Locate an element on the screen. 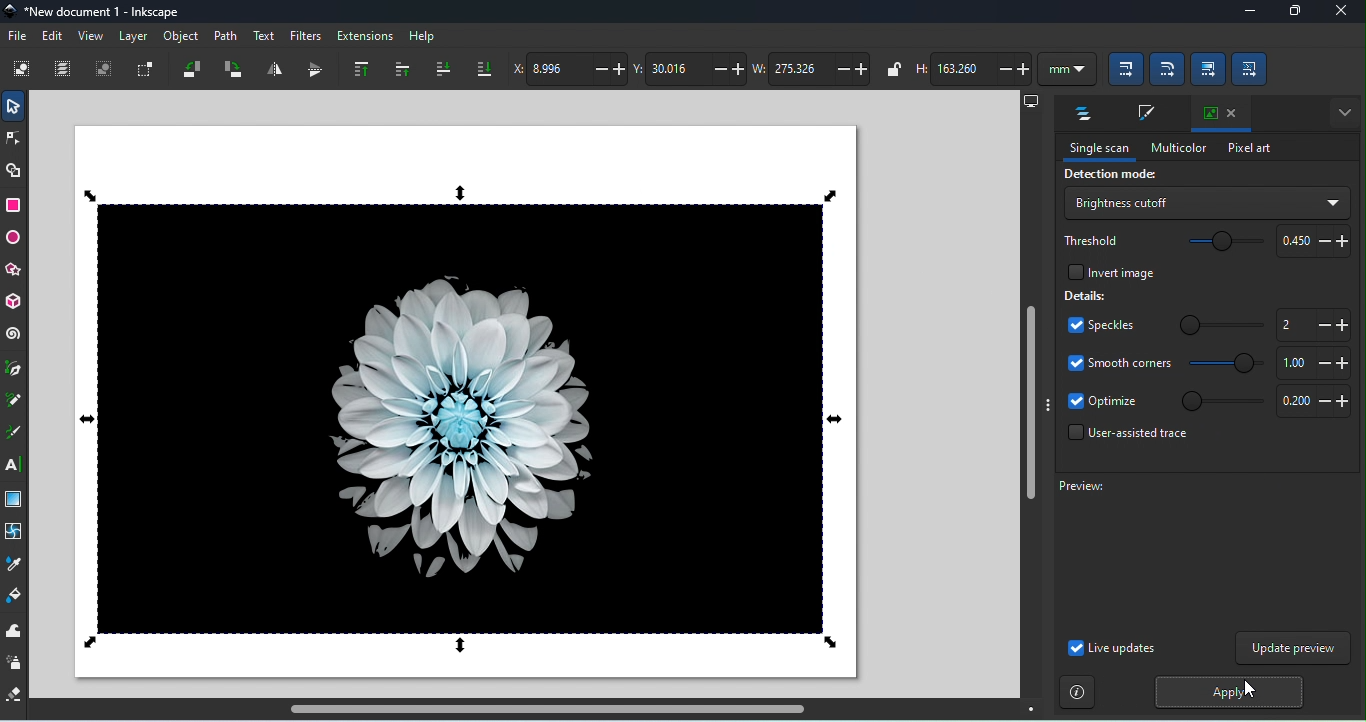  Move gradients (in fill and stroke) along with the objects is located at coordinates (1206, 67).